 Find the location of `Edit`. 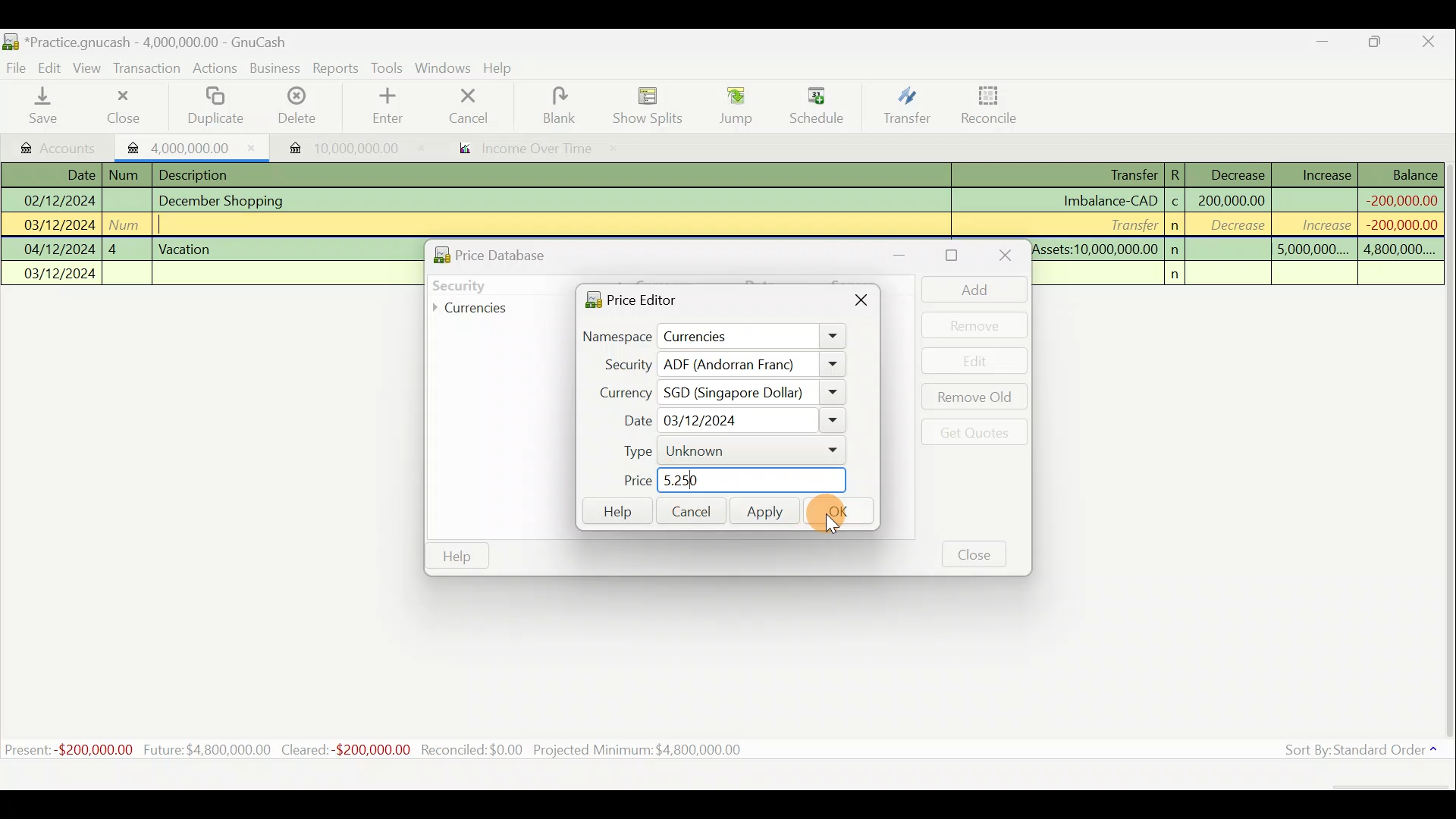

Edit is located at coordinates (976, 361).